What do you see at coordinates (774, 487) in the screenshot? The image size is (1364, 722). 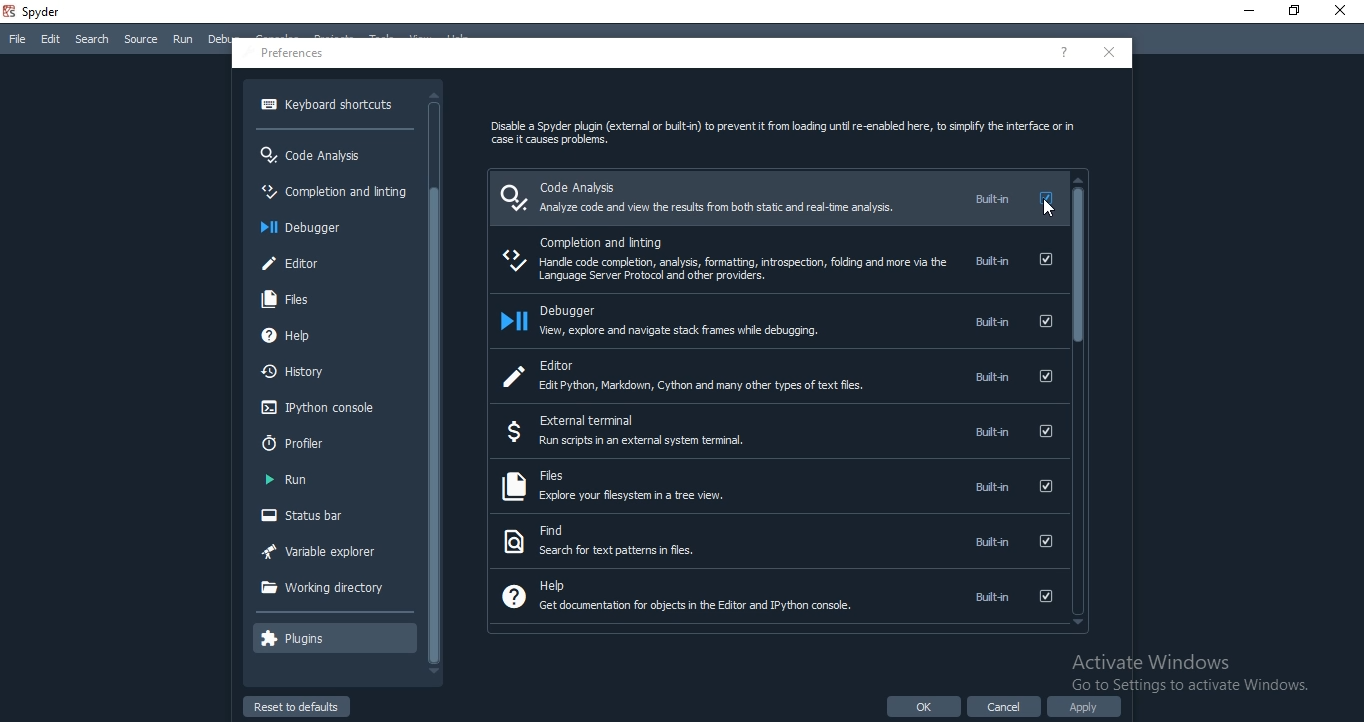 I see `files` at bounding box center [774, 487].